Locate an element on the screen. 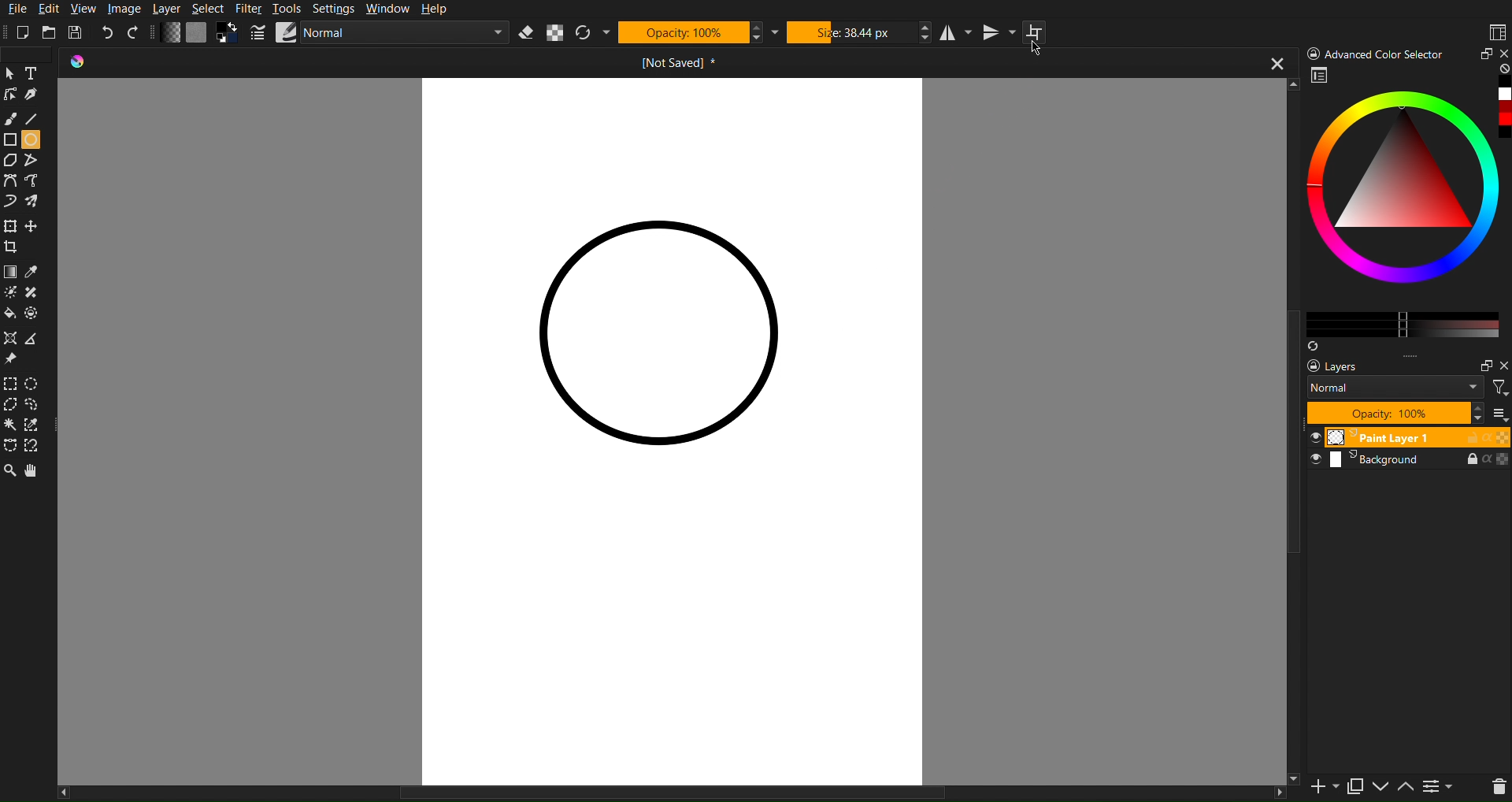  Wraparound is located at coordinates (1036, 28).